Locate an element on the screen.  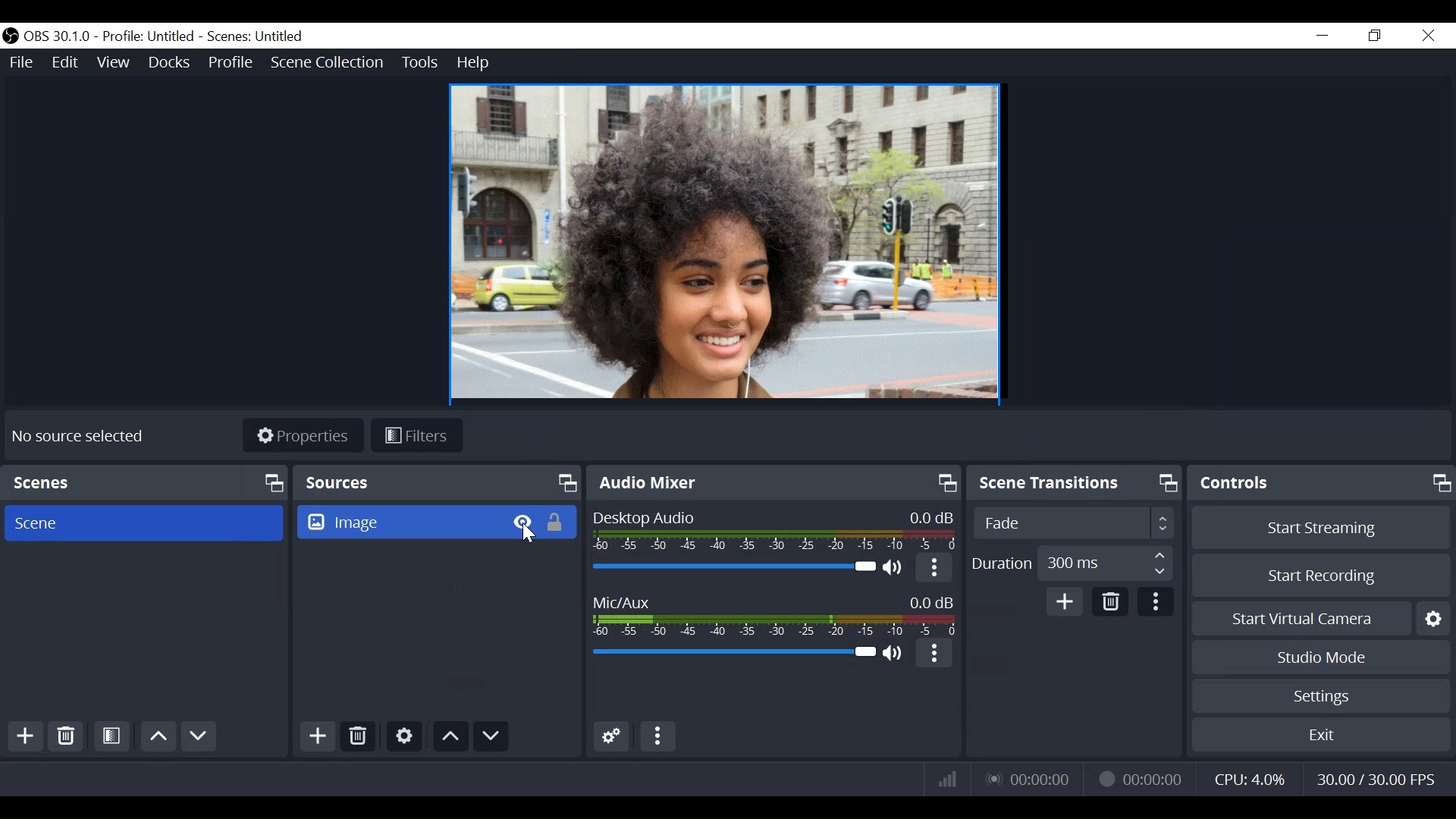
Settings is located at coordinates (1319, 698).